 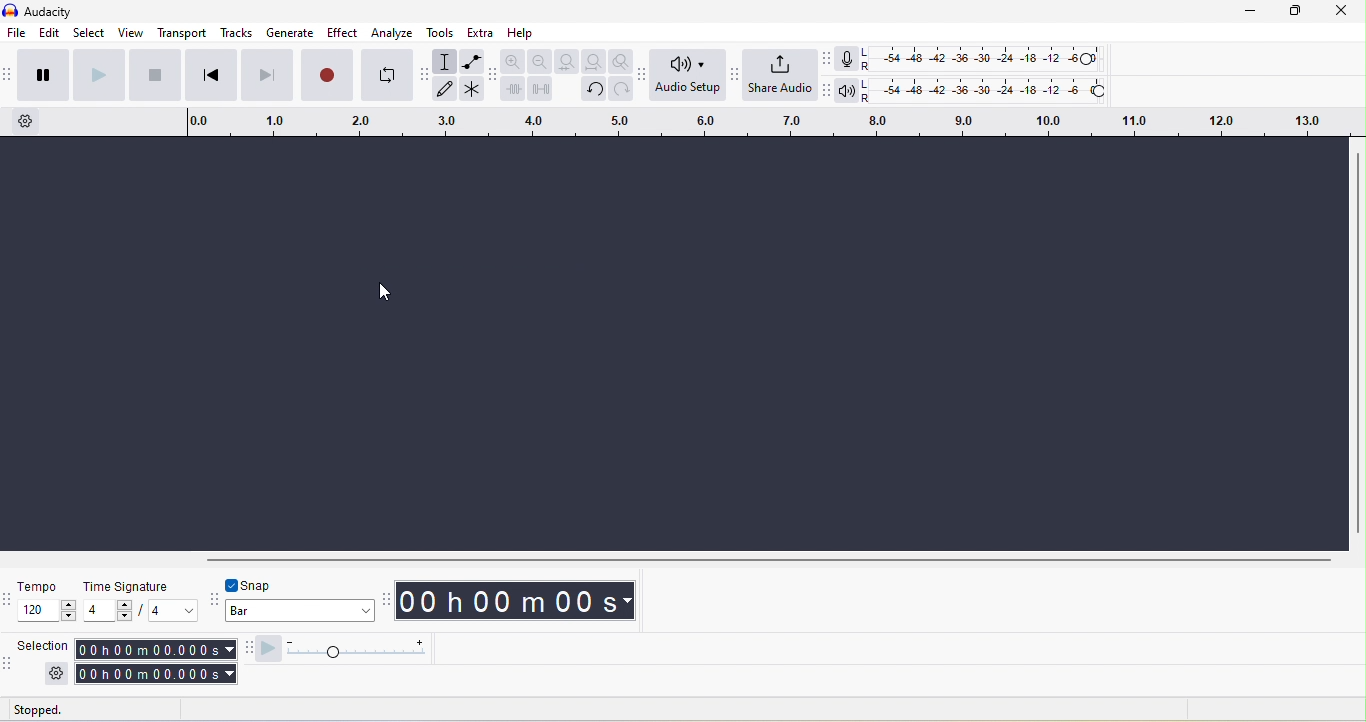 What do you see at coordinates (355, 650) in the screenshot?
I see `playback speed` at bounding box center [355, 650].